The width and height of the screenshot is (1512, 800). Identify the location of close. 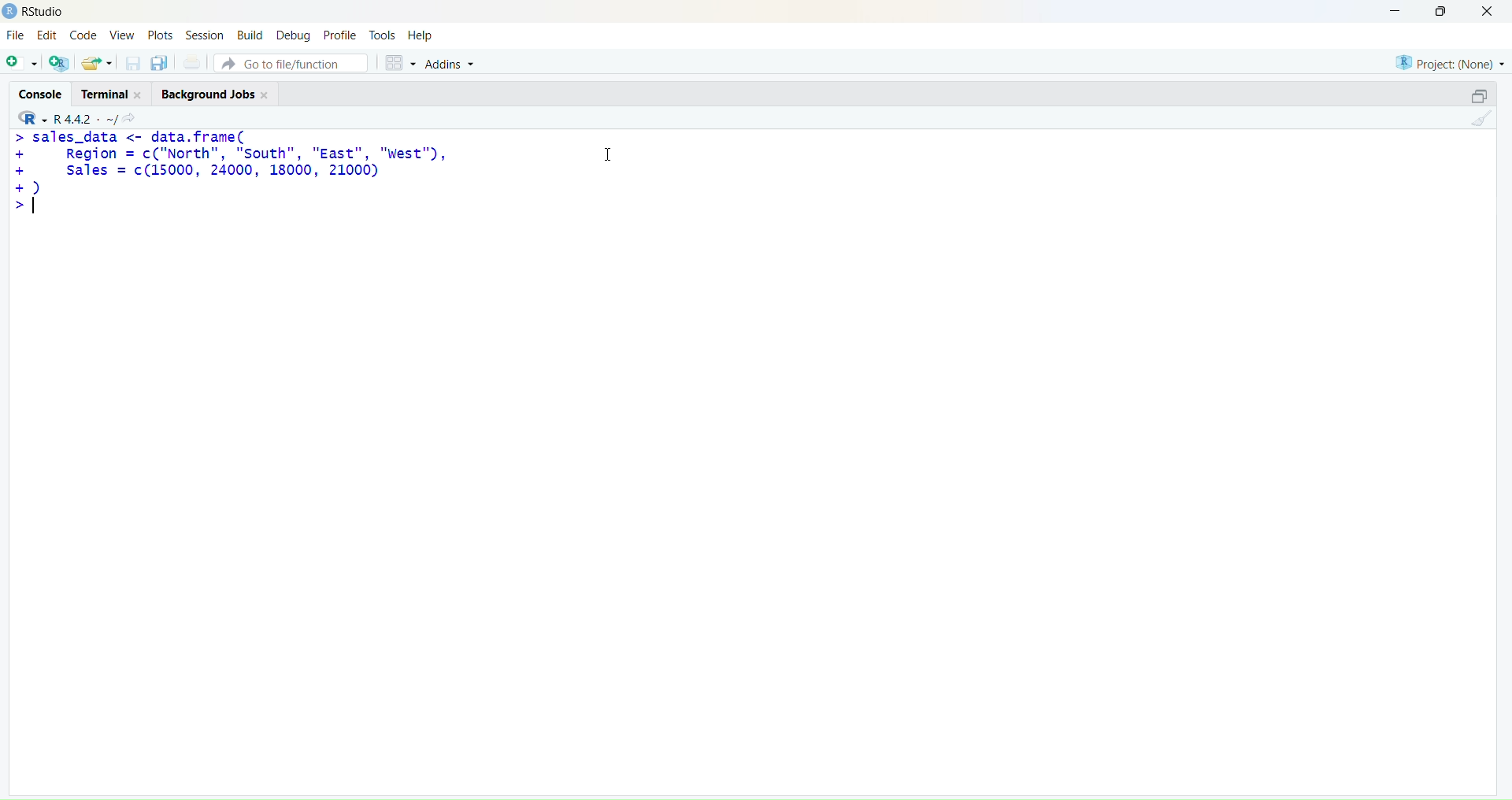
(1493, 12).